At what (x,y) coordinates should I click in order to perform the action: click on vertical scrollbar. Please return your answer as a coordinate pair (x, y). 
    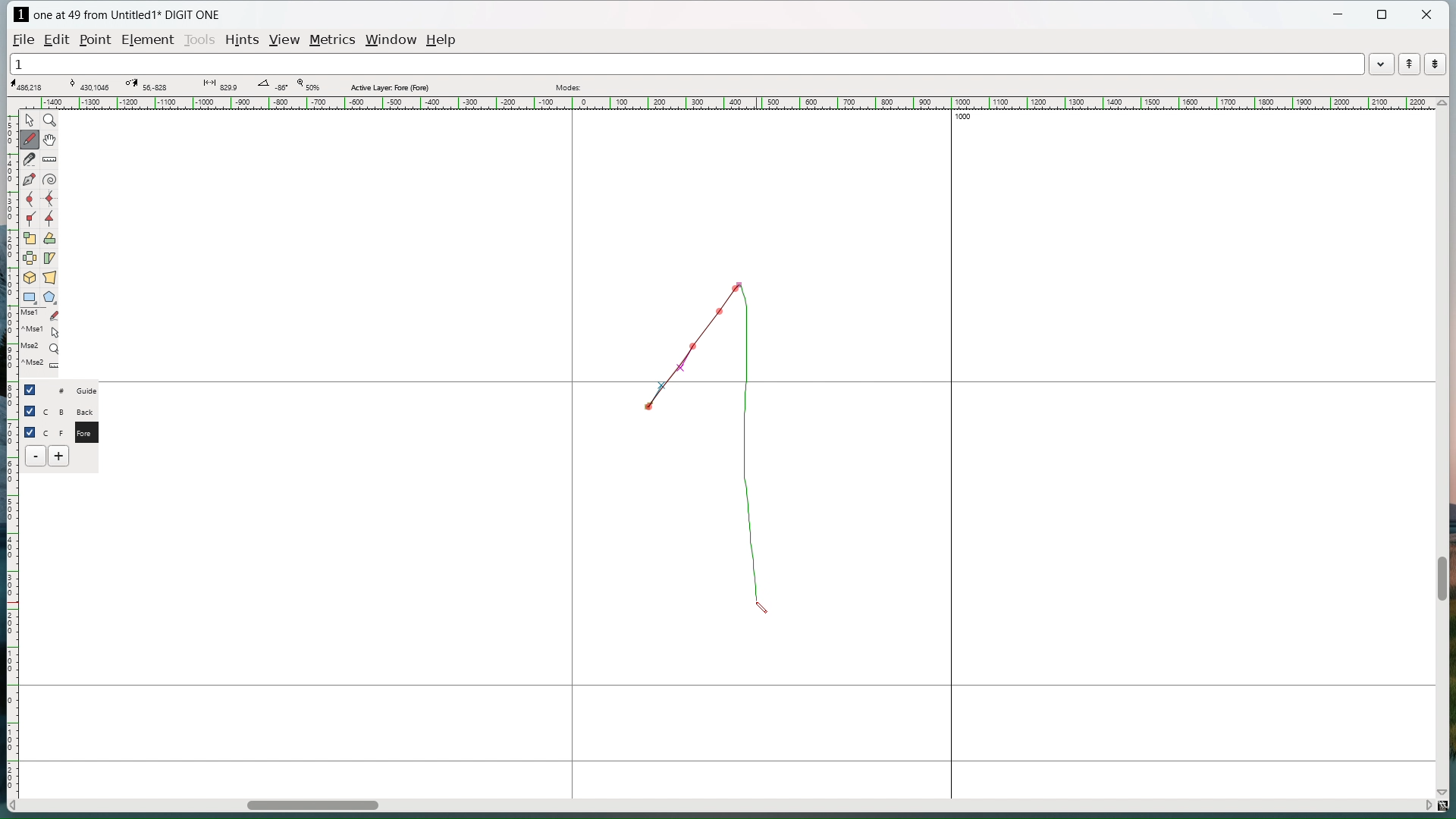
    Looking at the image, I should click on (1441, 579).